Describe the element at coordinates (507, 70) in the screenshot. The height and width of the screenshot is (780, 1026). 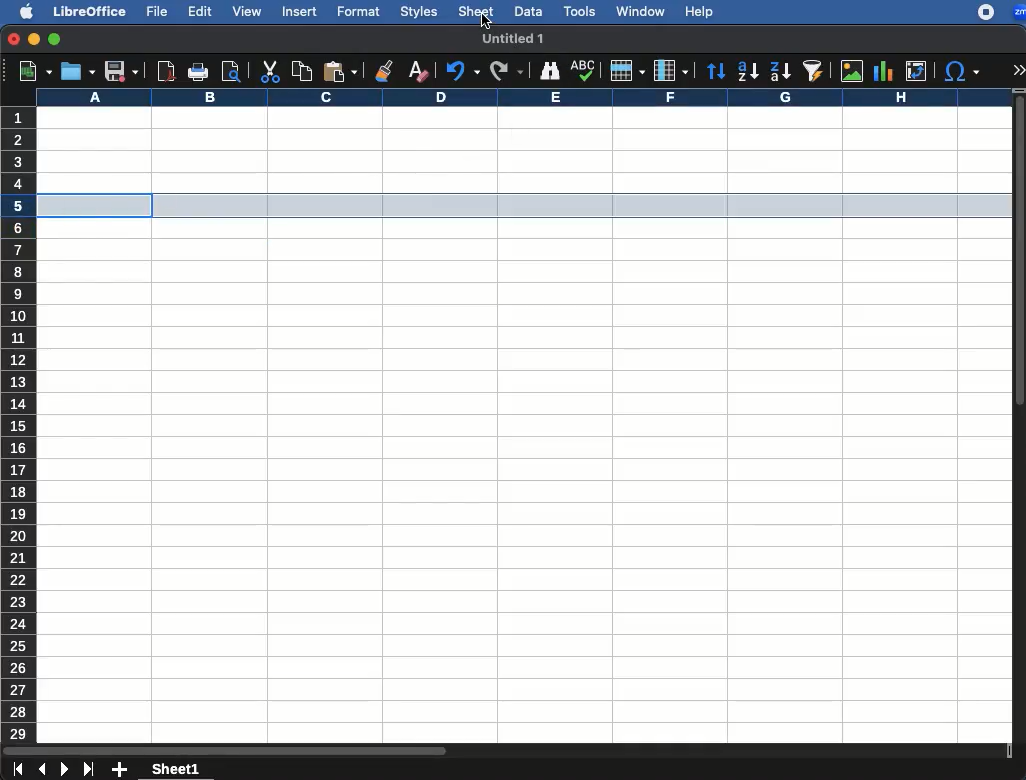
I see `redo` at that location.